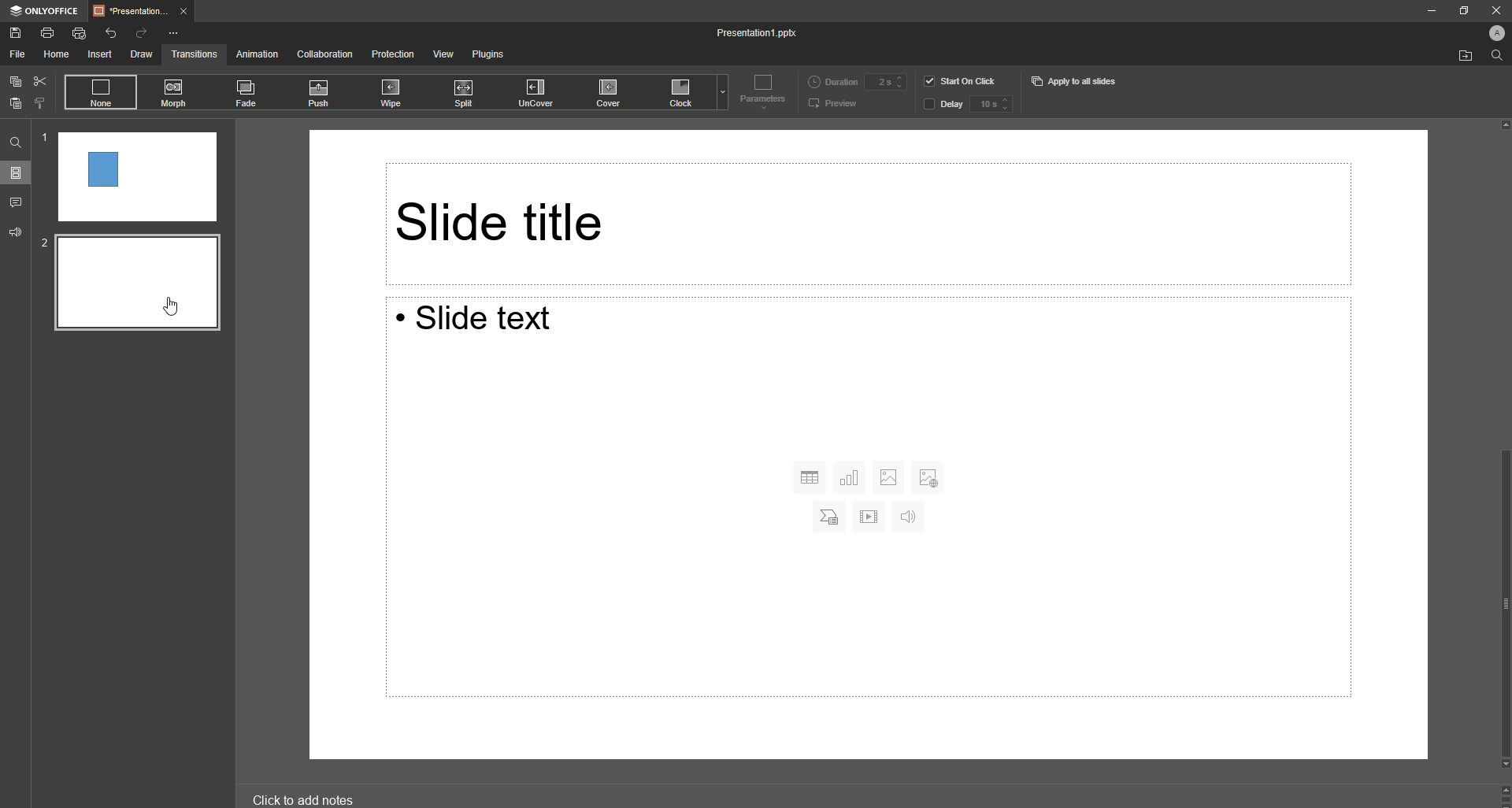  What do you see at coordinates (324, 52) in the screenshot?
I see `Collaboration` at bounding box center [324, 52].